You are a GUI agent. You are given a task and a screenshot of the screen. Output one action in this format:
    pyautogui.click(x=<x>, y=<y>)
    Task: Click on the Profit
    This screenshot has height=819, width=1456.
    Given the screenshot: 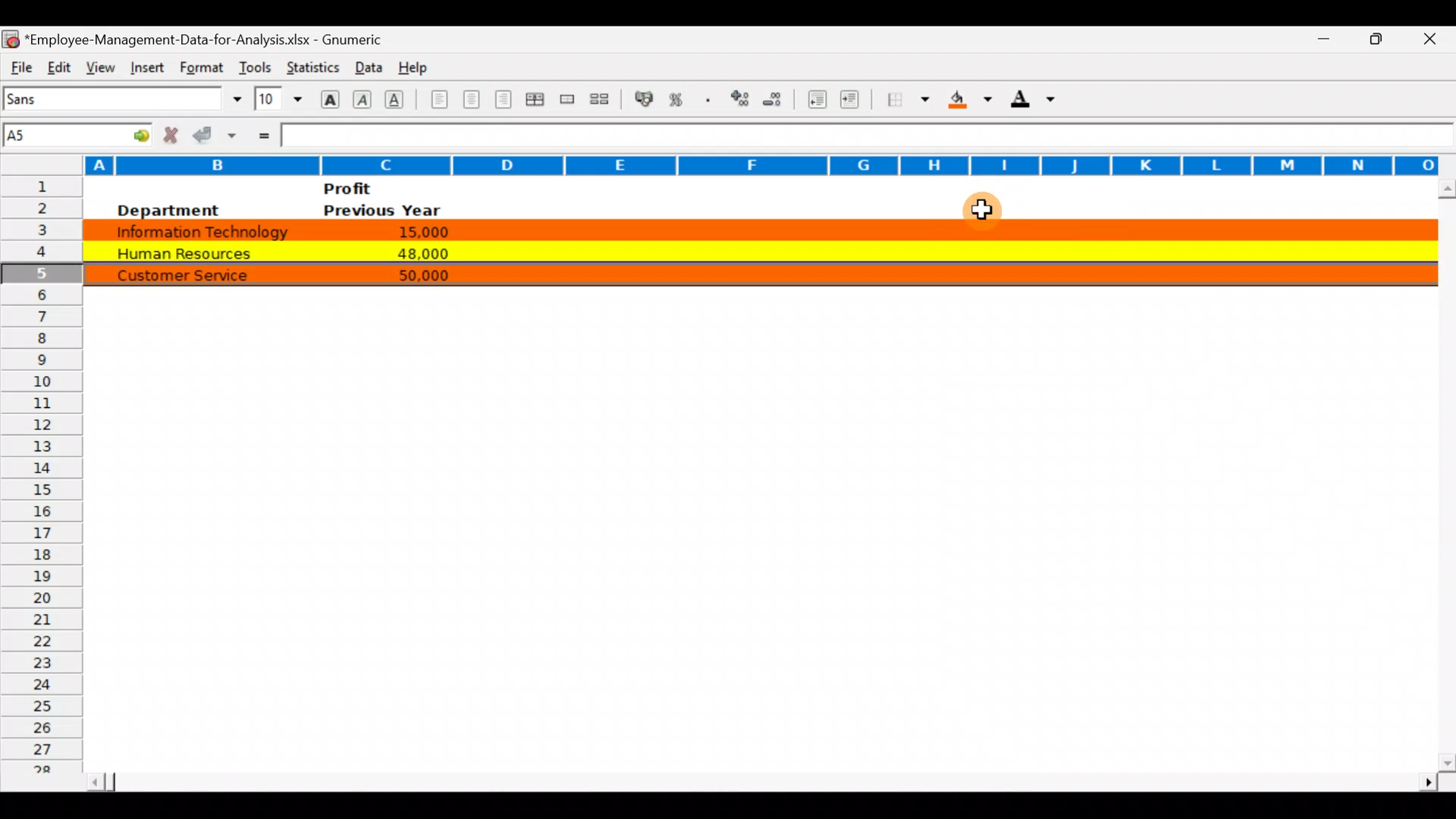 What is the action you would take?
    pyautogui.click(x=376, y=188)
    